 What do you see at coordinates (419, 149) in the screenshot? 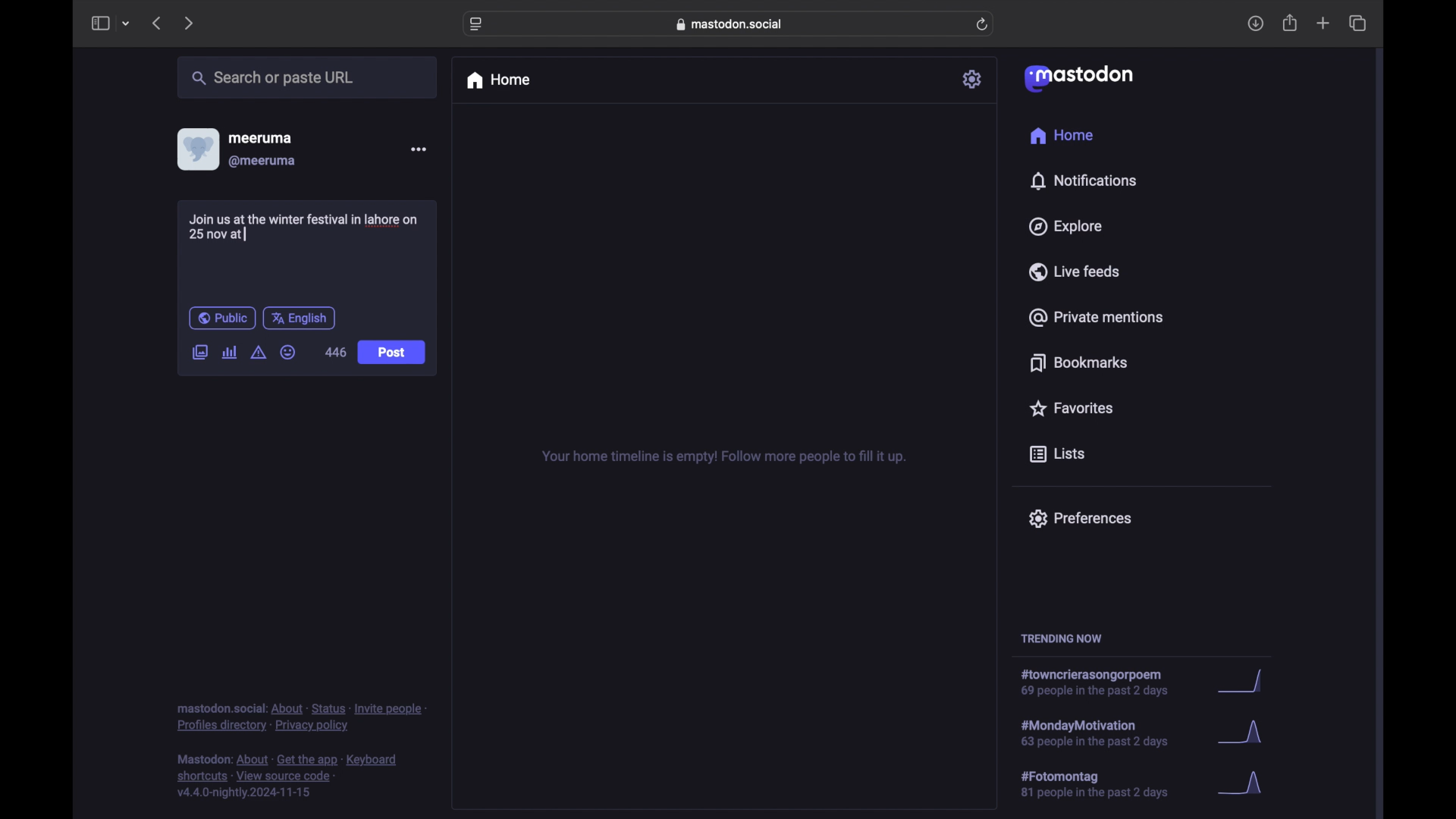
I see `more options` at bounding box center [419, 149].